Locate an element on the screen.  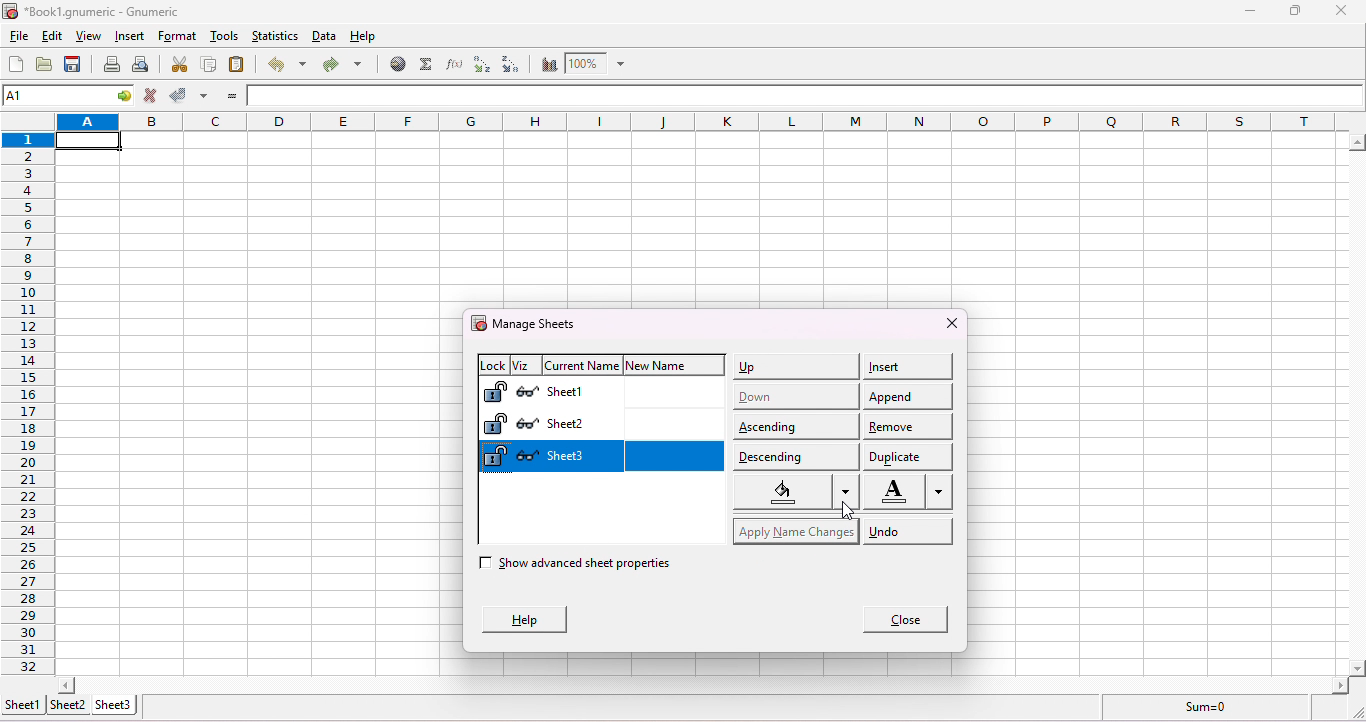
scroll bar is located at coordinates (1357, 403).